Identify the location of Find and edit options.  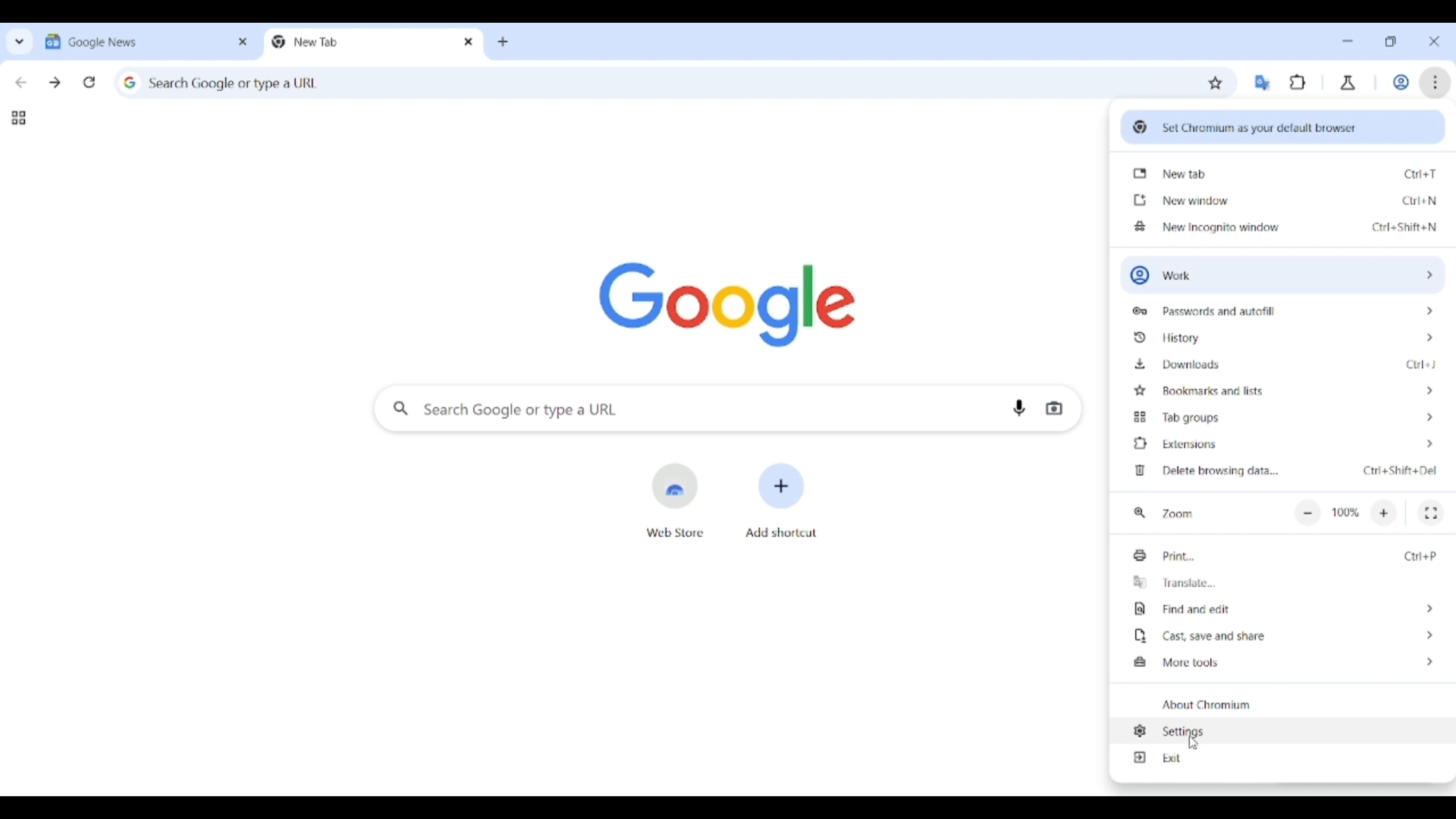
(1283, 609).